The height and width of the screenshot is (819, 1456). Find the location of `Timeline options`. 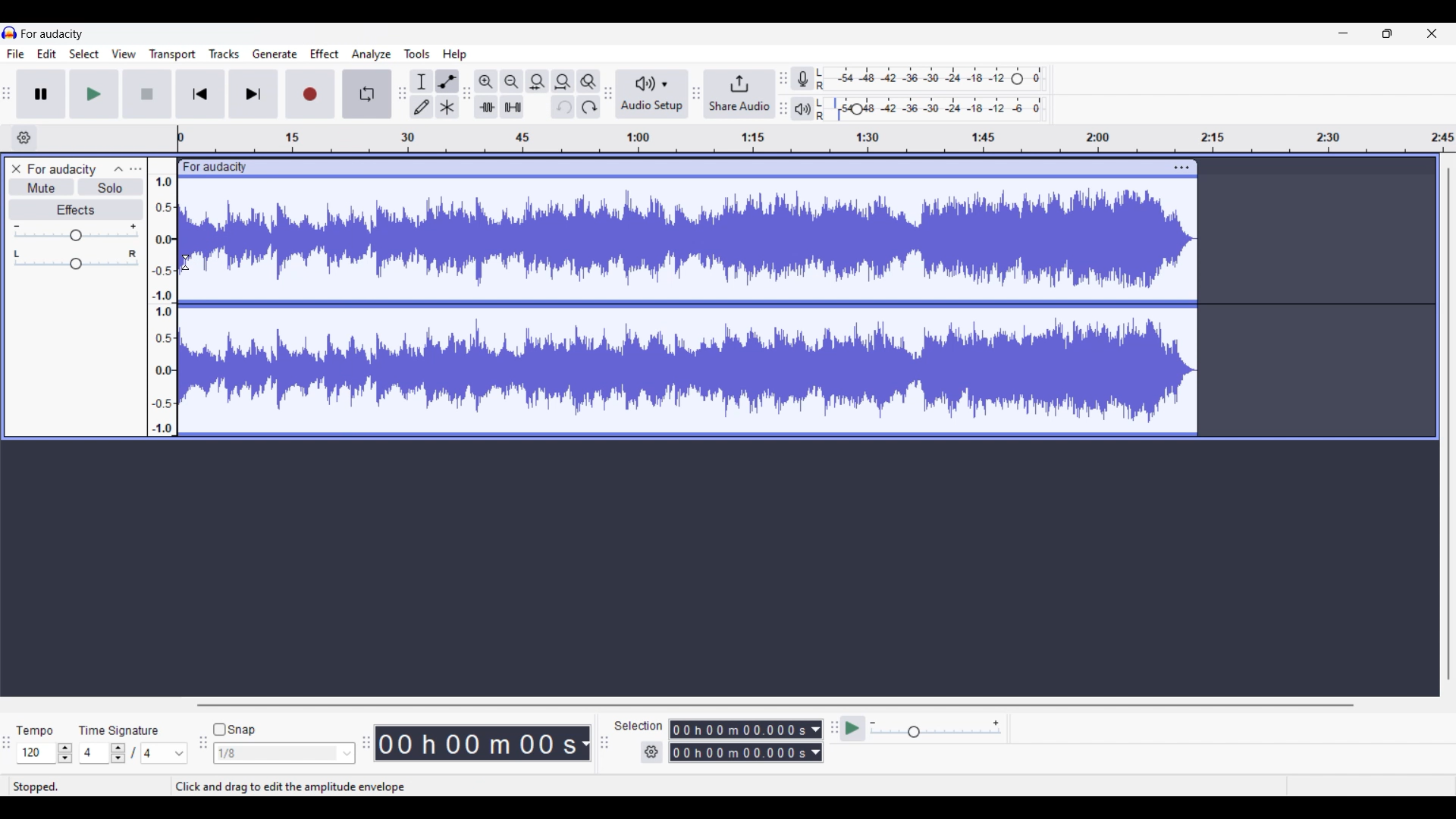

Timeline options is located at coordinates (25, 138).